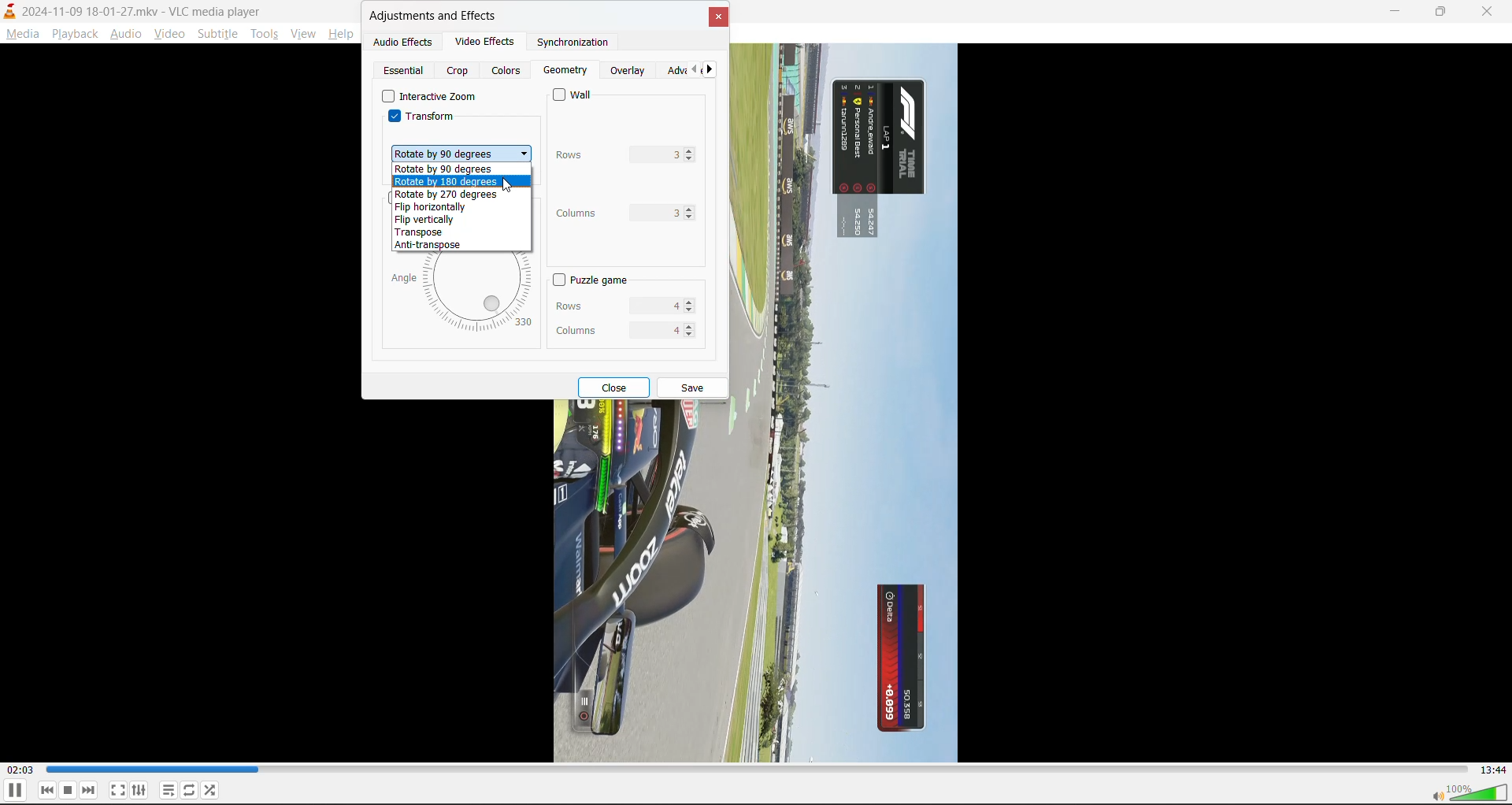 Image resolution: width=1512 pixels, height=805 pixels. I want to click on adjustments and  effects, so click(435, 17).